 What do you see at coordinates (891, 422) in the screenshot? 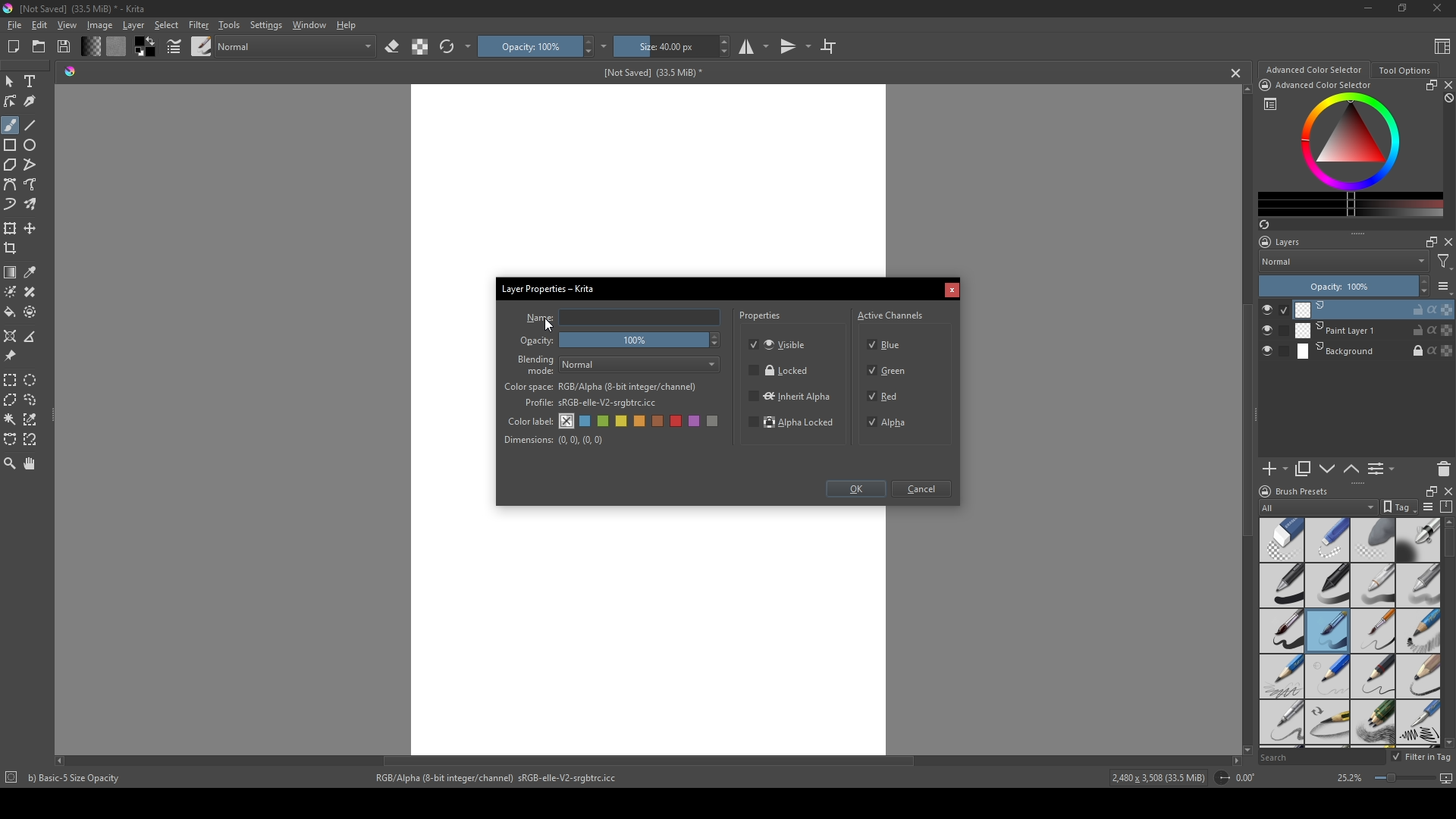
I see `Alpha` at bounding box center [891, 422].